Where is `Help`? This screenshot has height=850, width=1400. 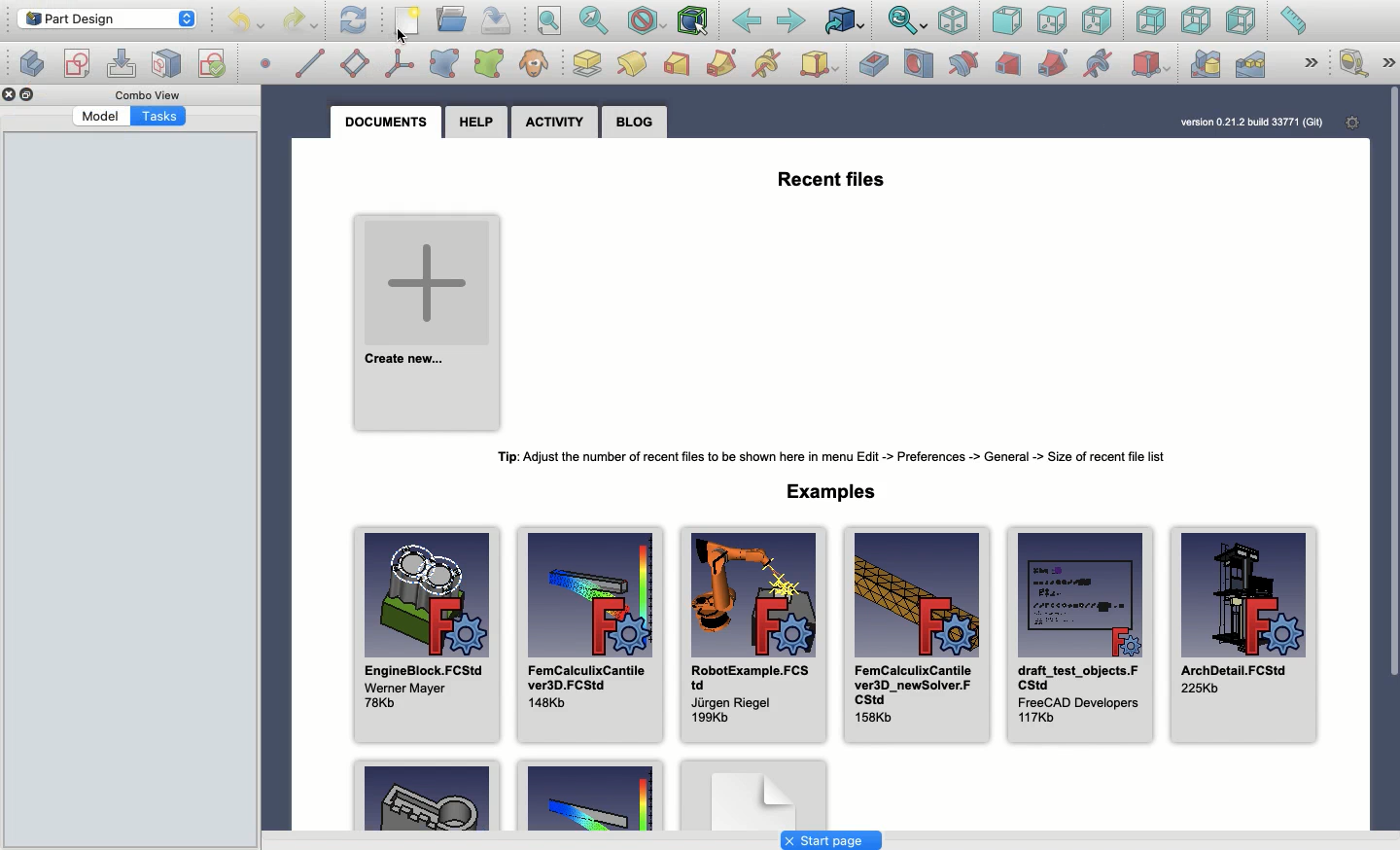
Help is located at coordinates (476, 123).